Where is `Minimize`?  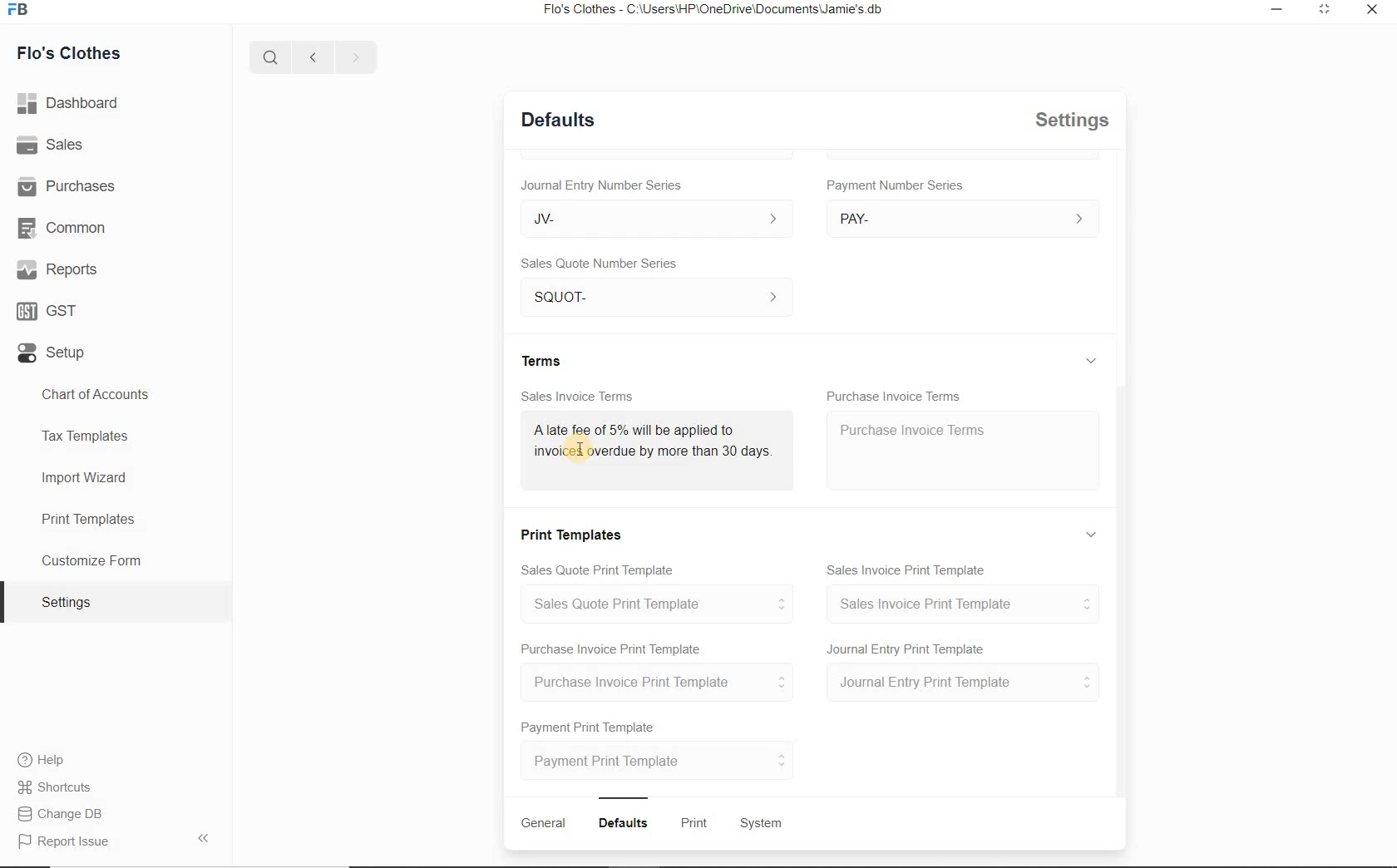
Minimize is located at coordinates (1276, 10).